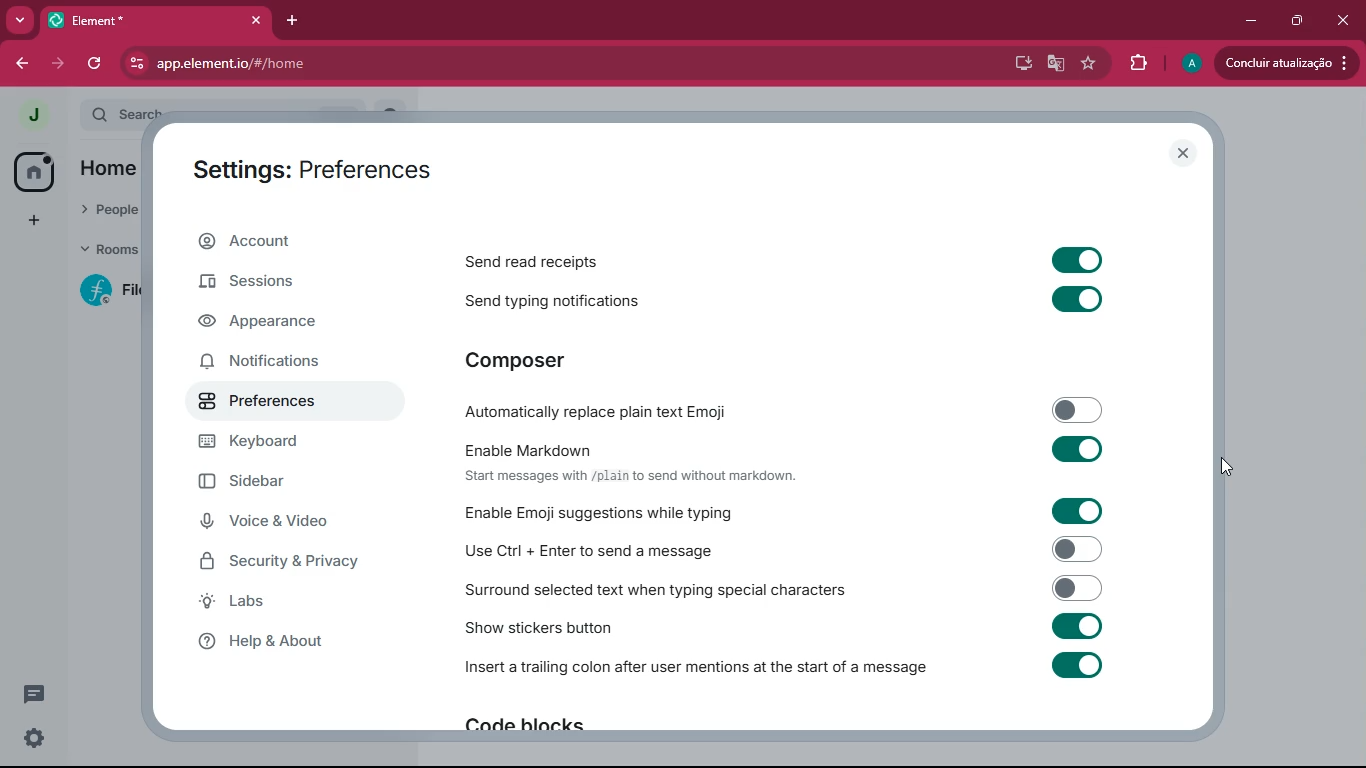 This screenshot has height=768, width=1366. What do you see at coordinates (299, 242) in the screenshot?
I see `account` at bounding box center [299, 242].